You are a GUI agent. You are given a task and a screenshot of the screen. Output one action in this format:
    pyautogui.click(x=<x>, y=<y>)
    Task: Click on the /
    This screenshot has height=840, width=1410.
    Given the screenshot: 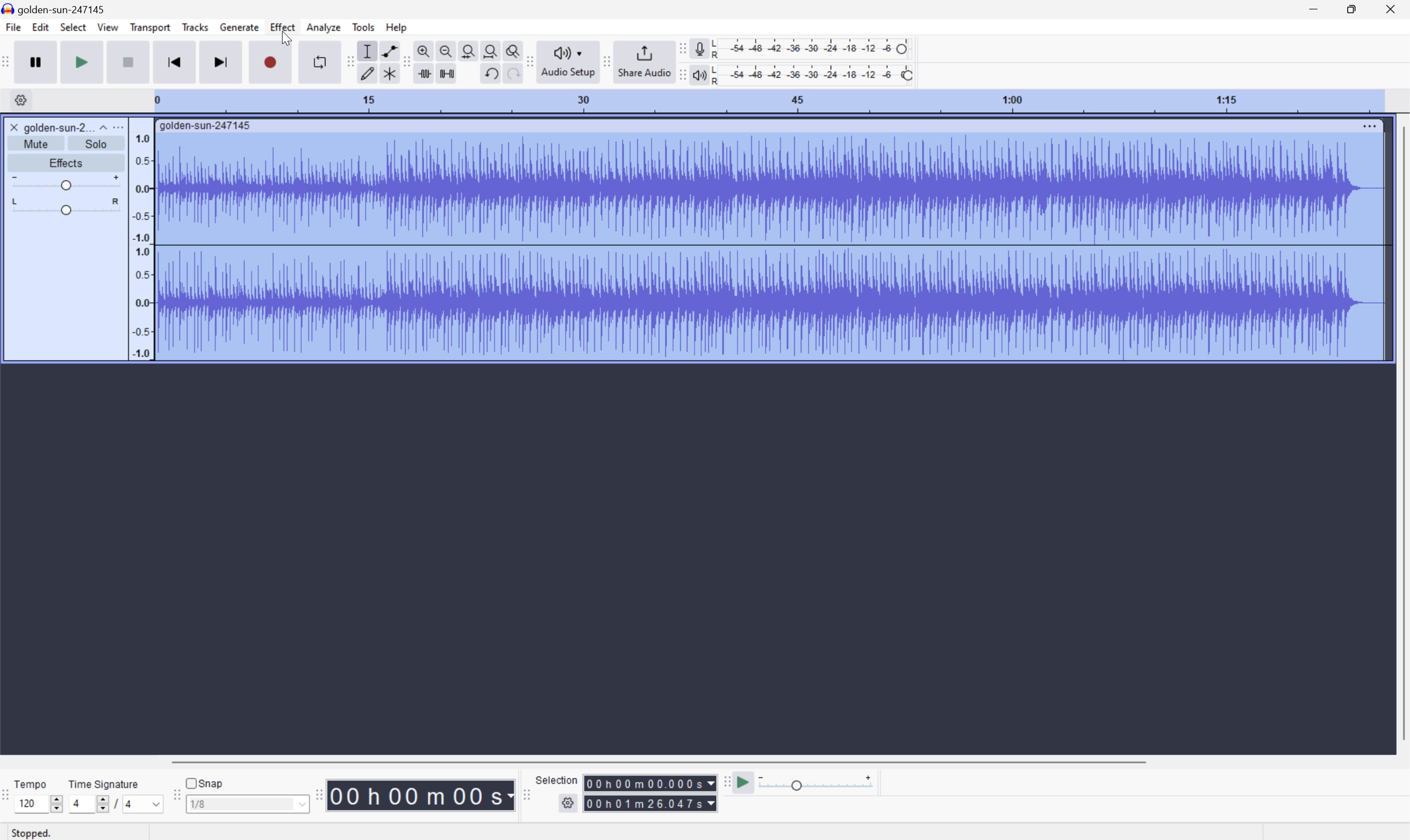 What is the action you would take?
    pyautogui.click(x=116, y=804)
    